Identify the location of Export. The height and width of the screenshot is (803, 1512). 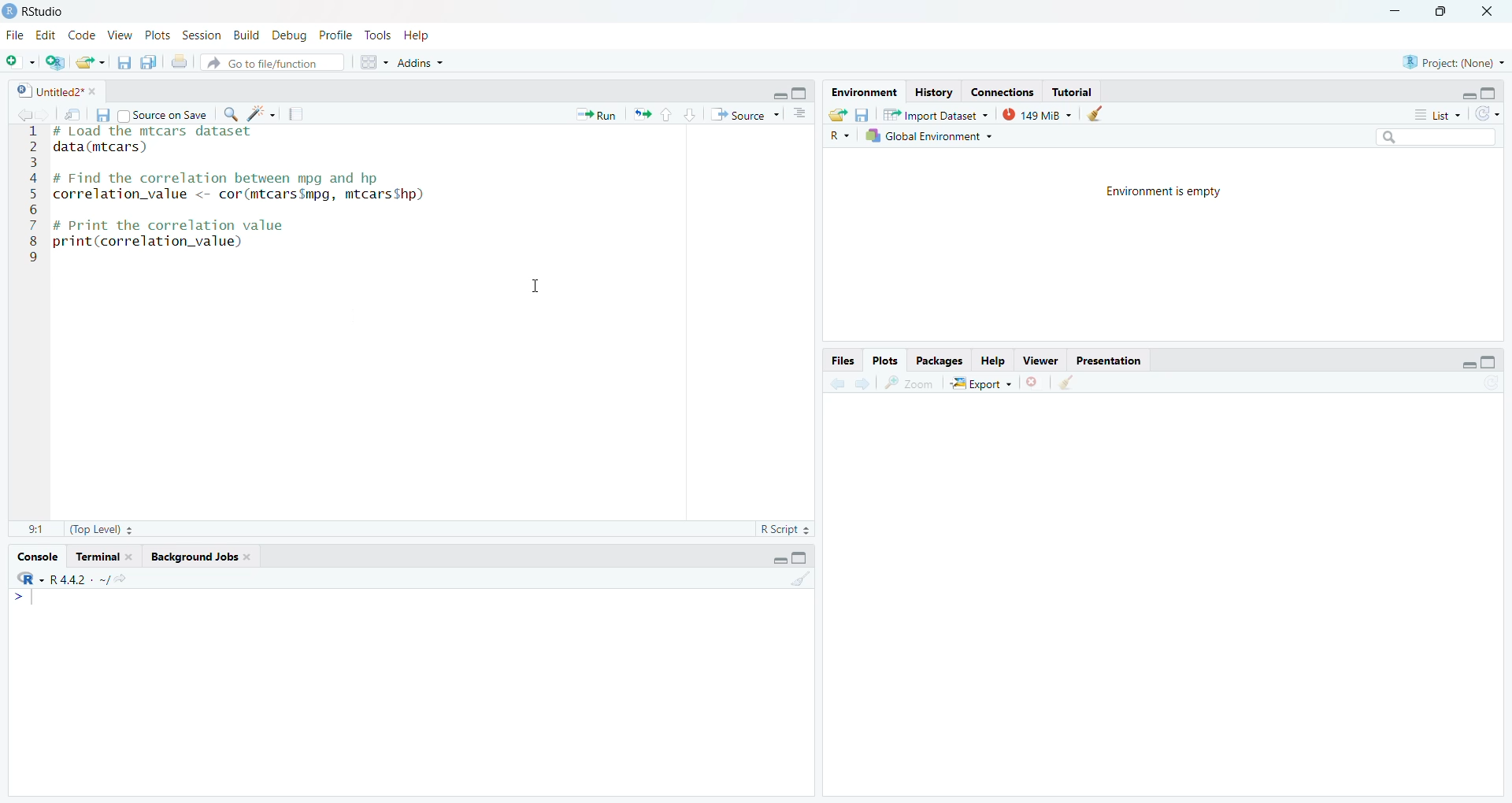
(982, 381).